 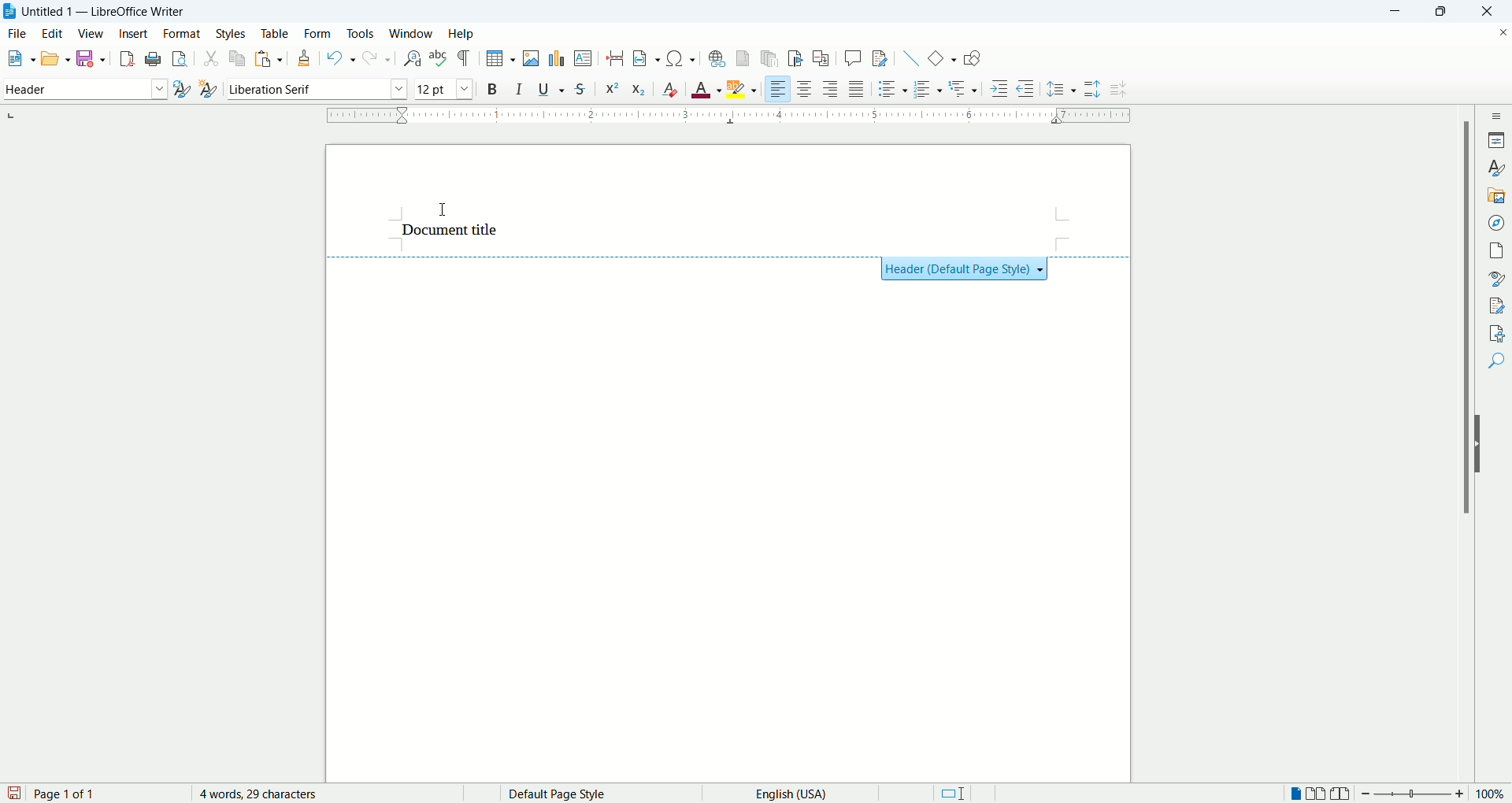 What do you see at coordinates (317, 90) in the screenshot?
I see `font name` at bounding box center [317, 90].